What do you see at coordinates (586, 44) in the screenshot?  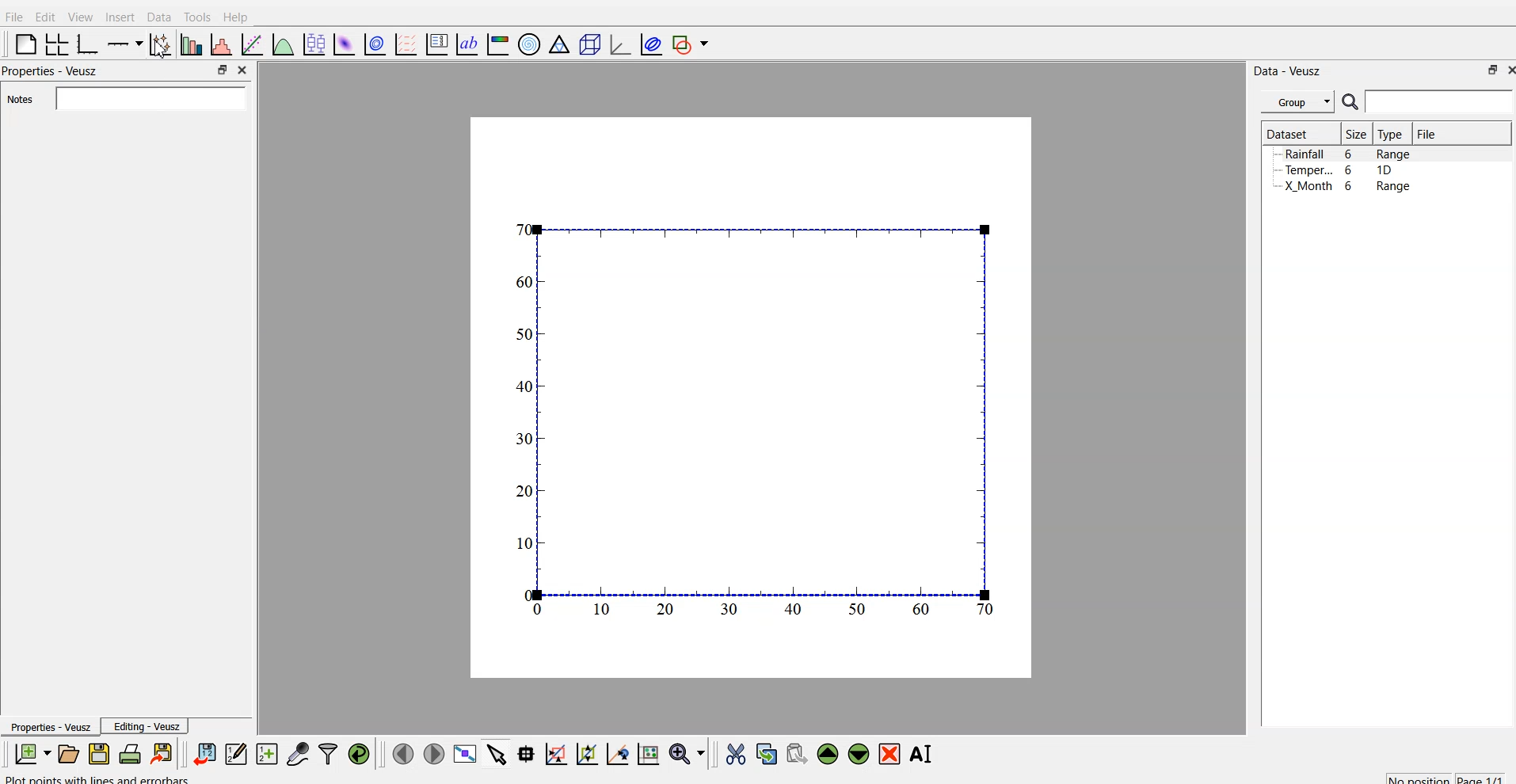 I see `3D scene` at bounding box center [586, 44].